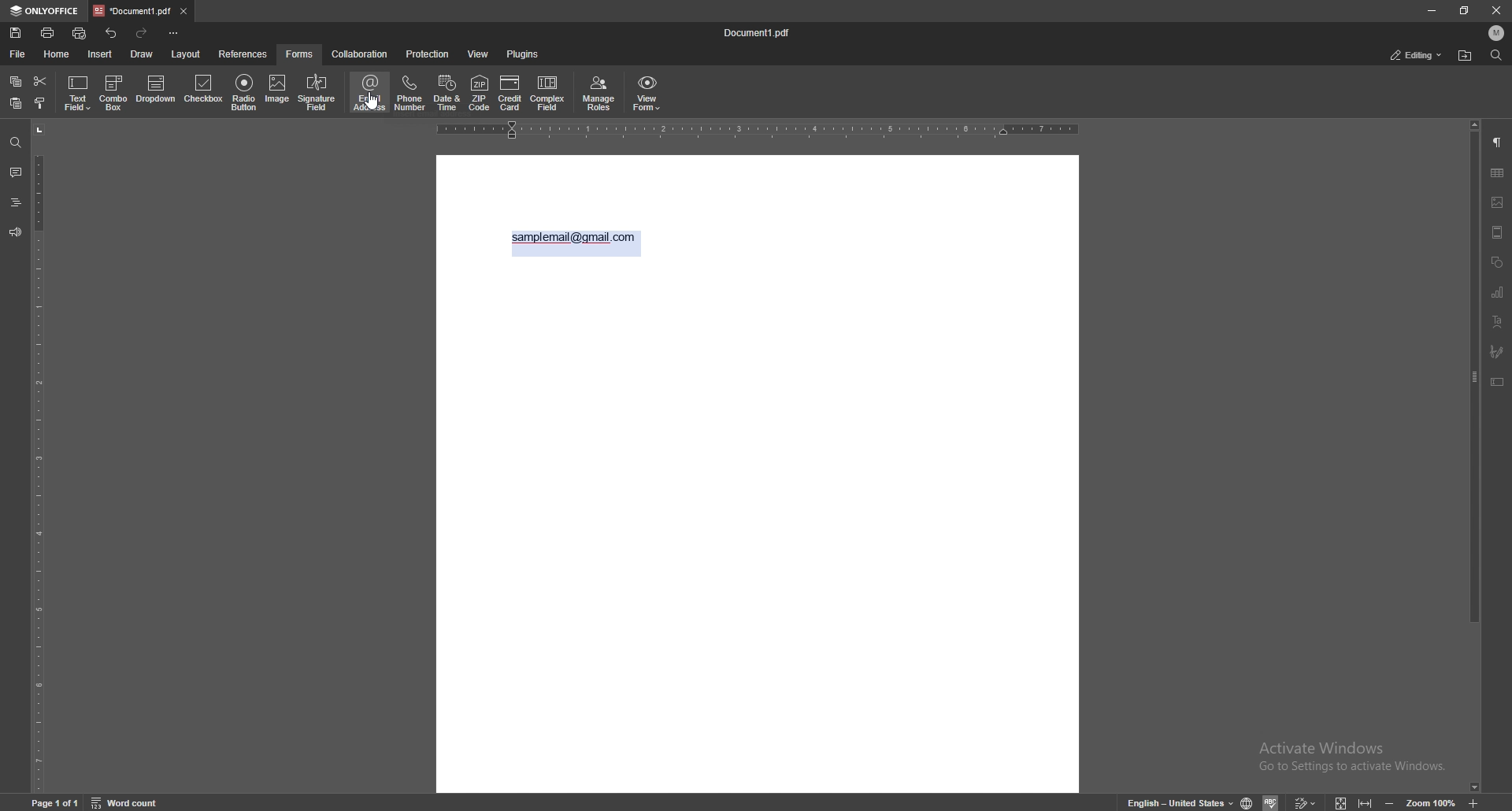  I want to click on zoom in, so click(1473, 800).